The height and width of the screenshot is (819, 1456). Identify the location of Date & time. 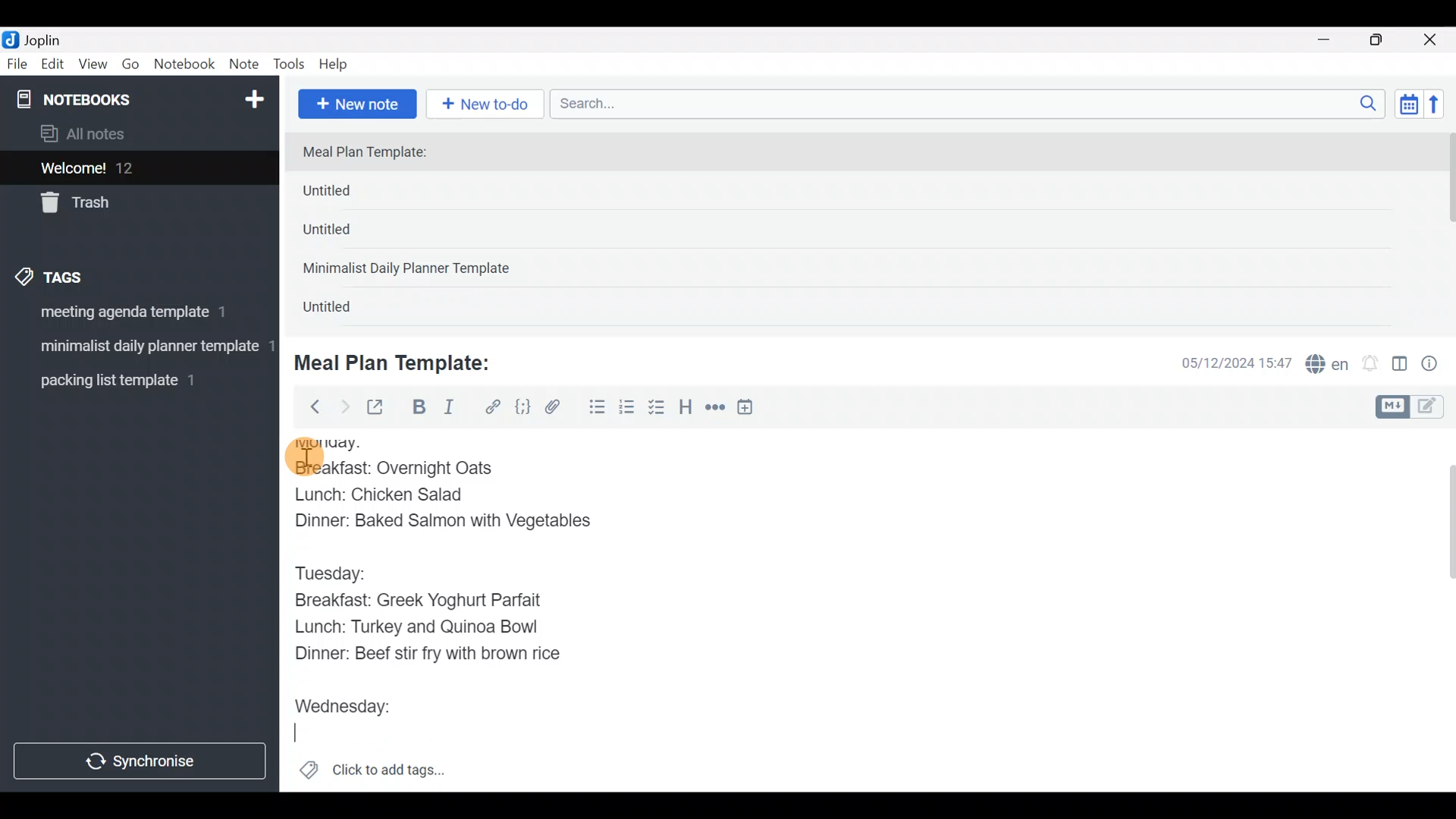
(1225, 362).